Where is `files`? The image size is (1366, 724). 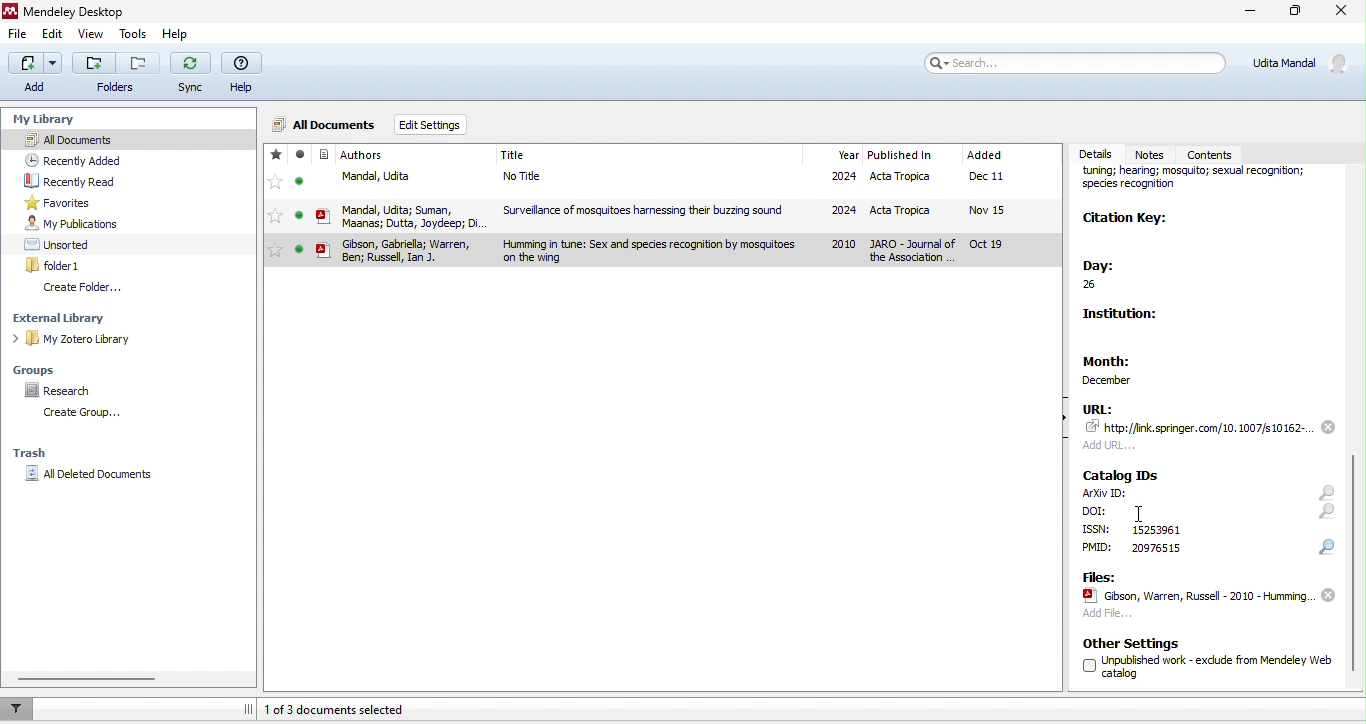
files is located at coordinates (1098, 576).